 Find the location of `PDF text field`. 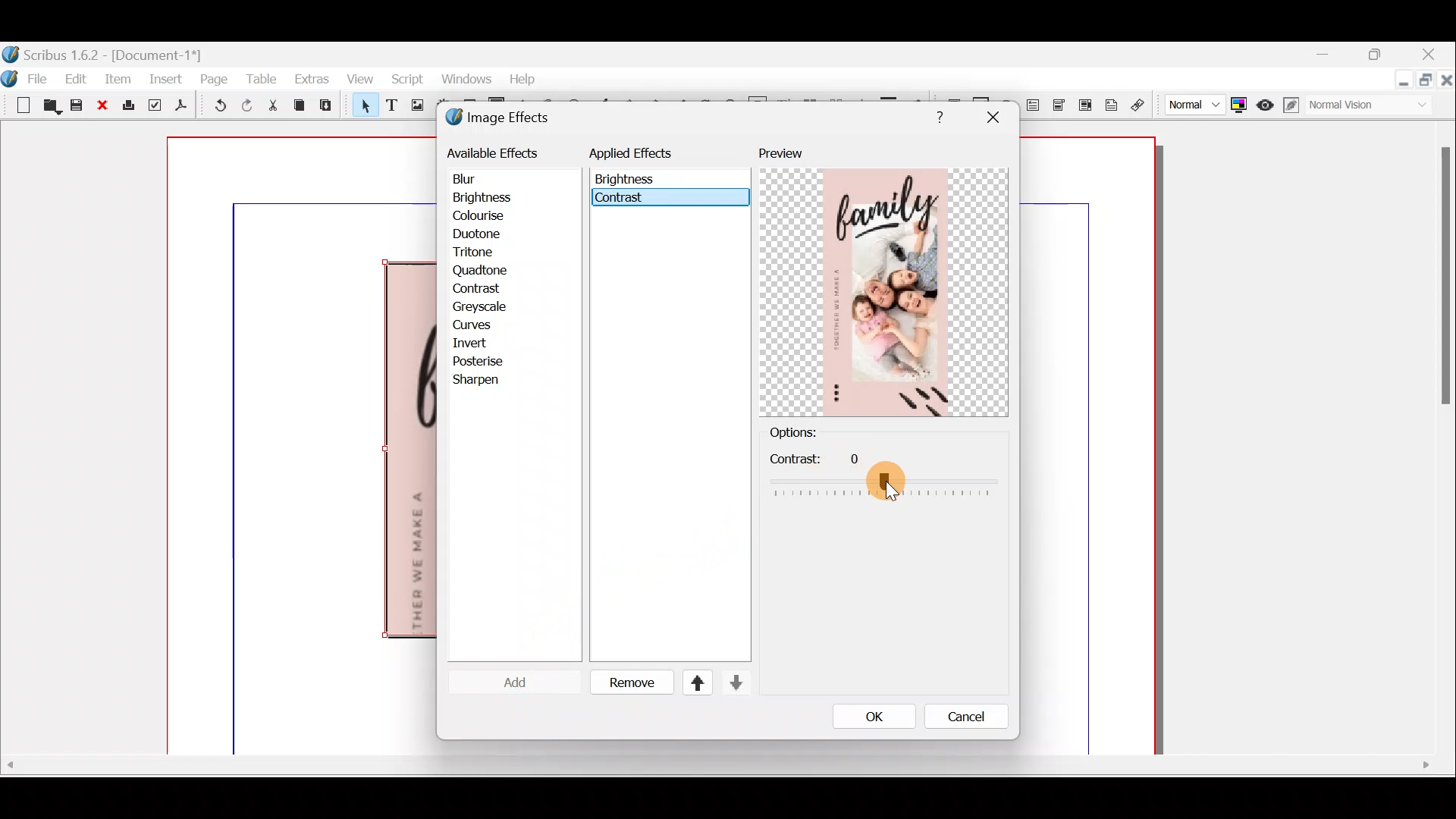

PDF text field is located at coordinates (1031, 105).